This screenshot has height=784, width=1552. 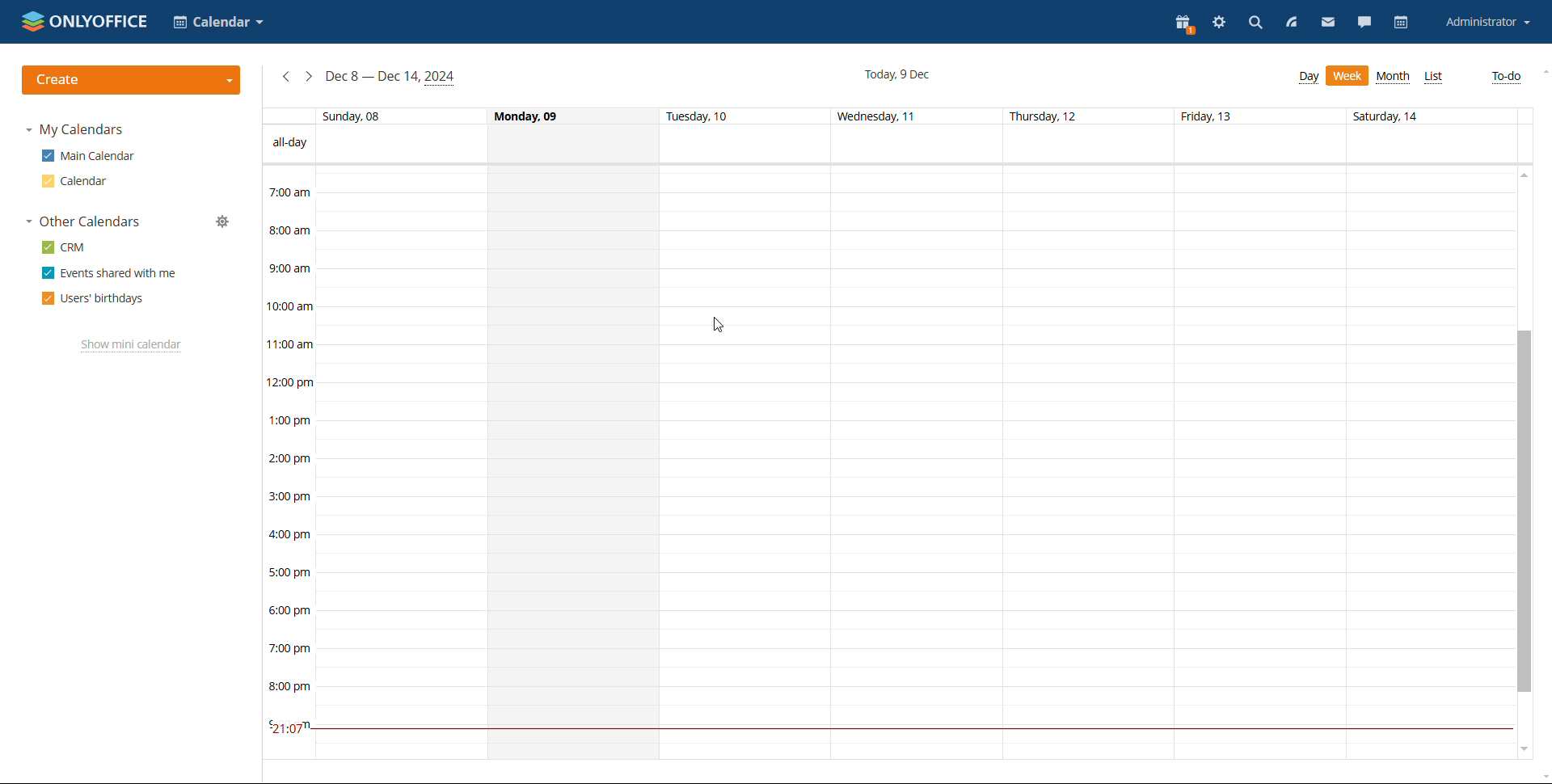 What do you see at coordinates (74, 130) in the screenshot?
I see `my calendars` at bounding box center [74, 130].